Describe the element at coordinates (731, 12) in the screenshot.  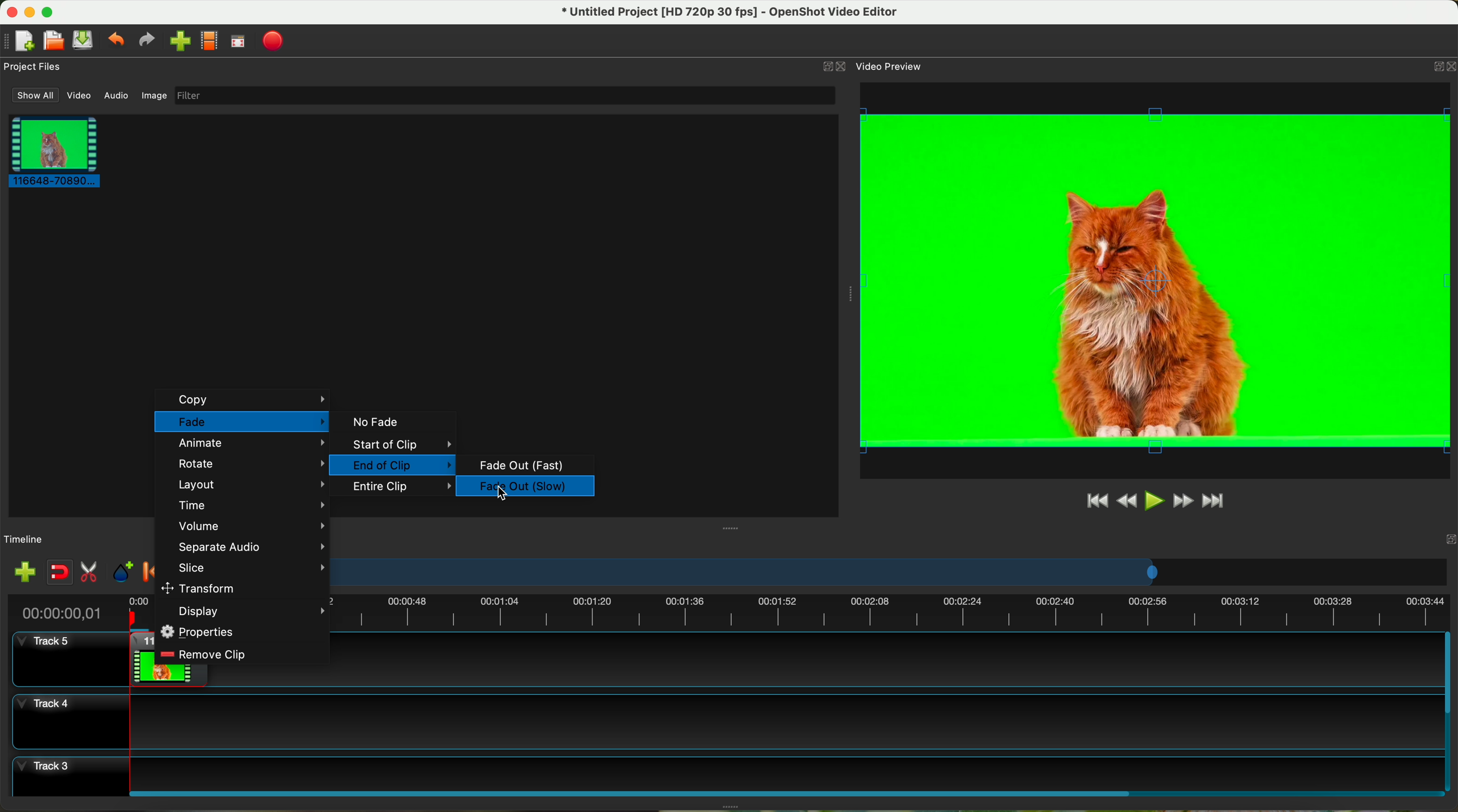
I see `file name` at that location.